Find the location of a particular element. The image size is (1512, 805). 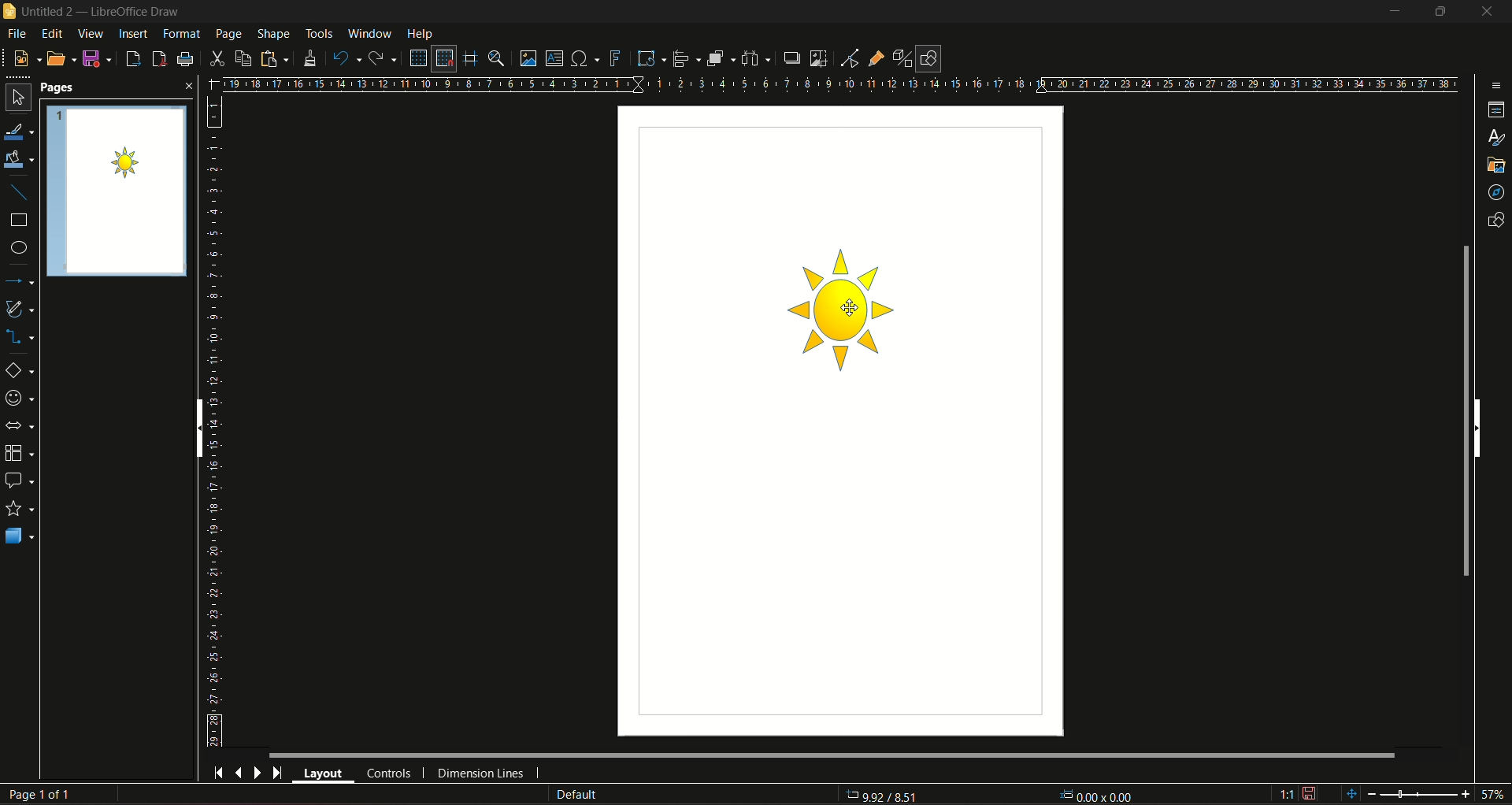

sidebar settings is located at coordinates (1497, 86).